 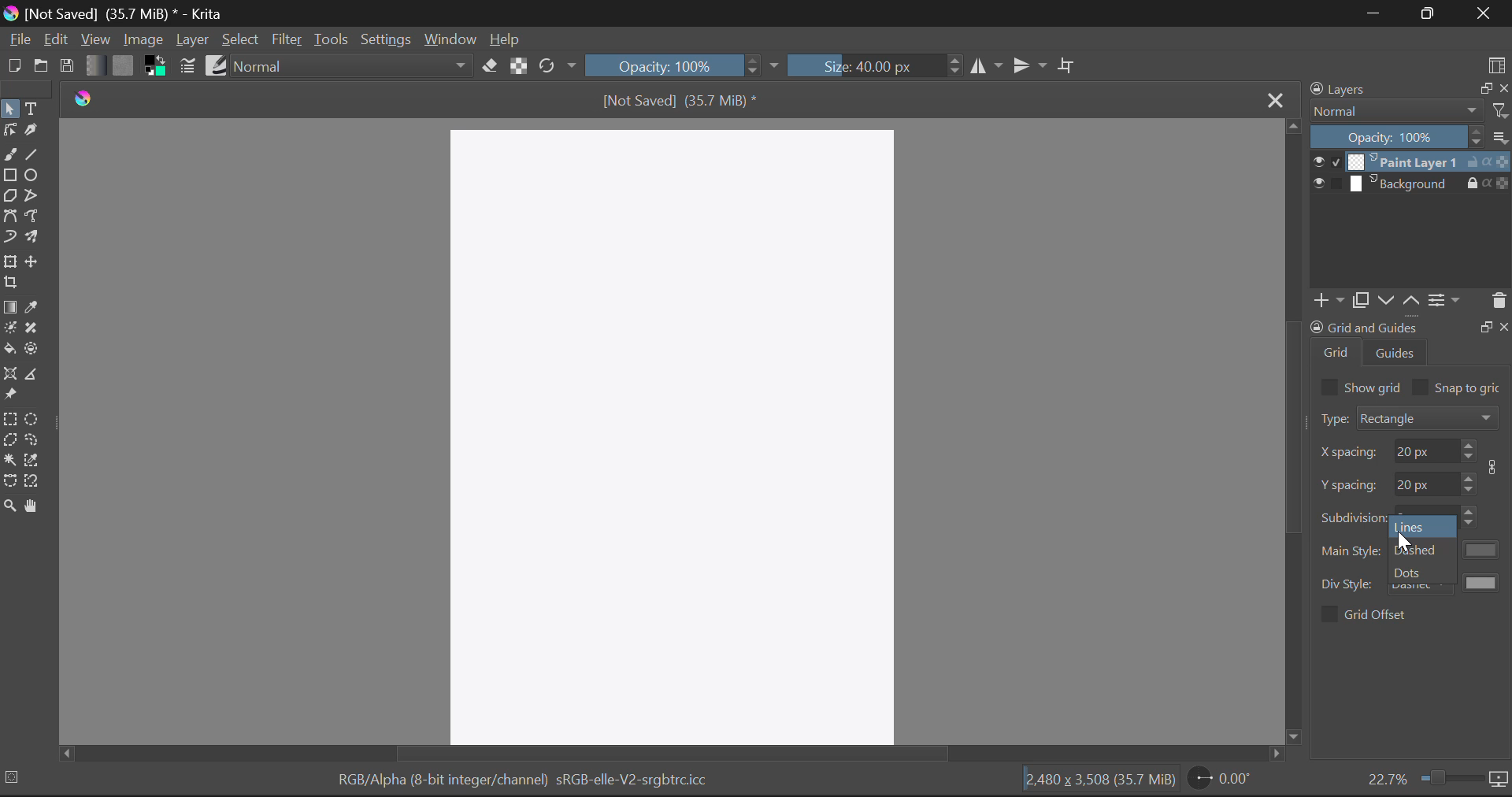 What do you see at coordinates (1429, 417) in the screenshot?
I see `rectangle` at bounding box center [1429, 417].